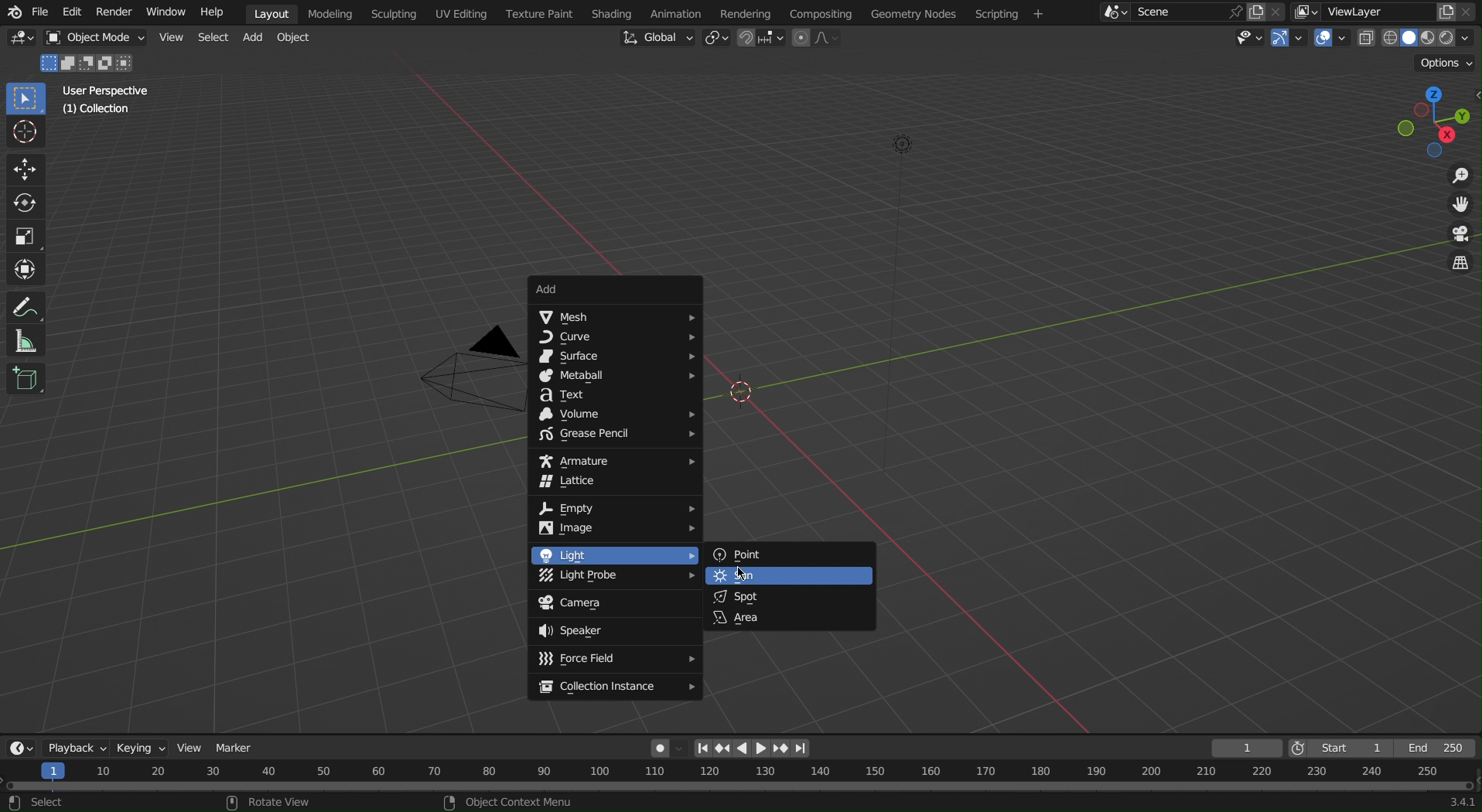 This screenshot has height=812, width=1482. Describe the element at coordinates (1448, 63) in the screenshot. I see `Options` at that location.